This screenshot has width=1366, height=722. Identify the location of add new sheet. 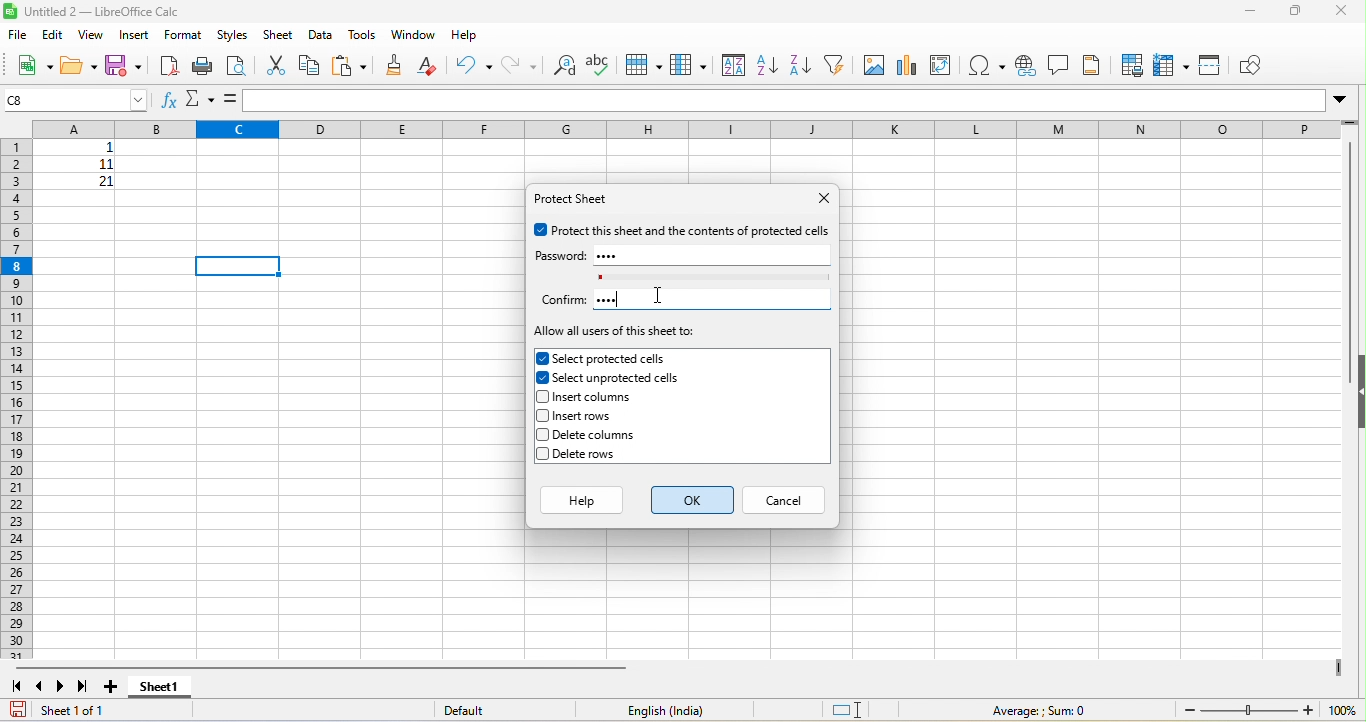
(112, 687).